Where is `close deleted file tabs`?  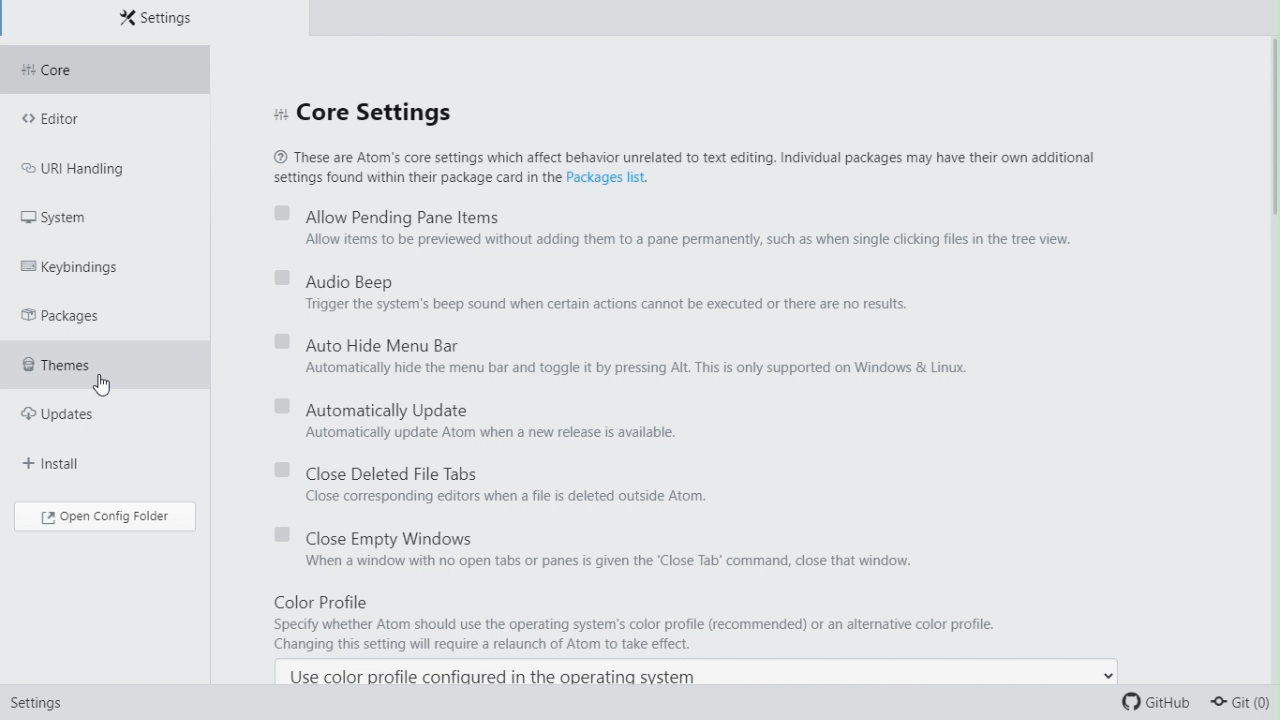
close deleted file tabs is located at coordinates (510, 472).